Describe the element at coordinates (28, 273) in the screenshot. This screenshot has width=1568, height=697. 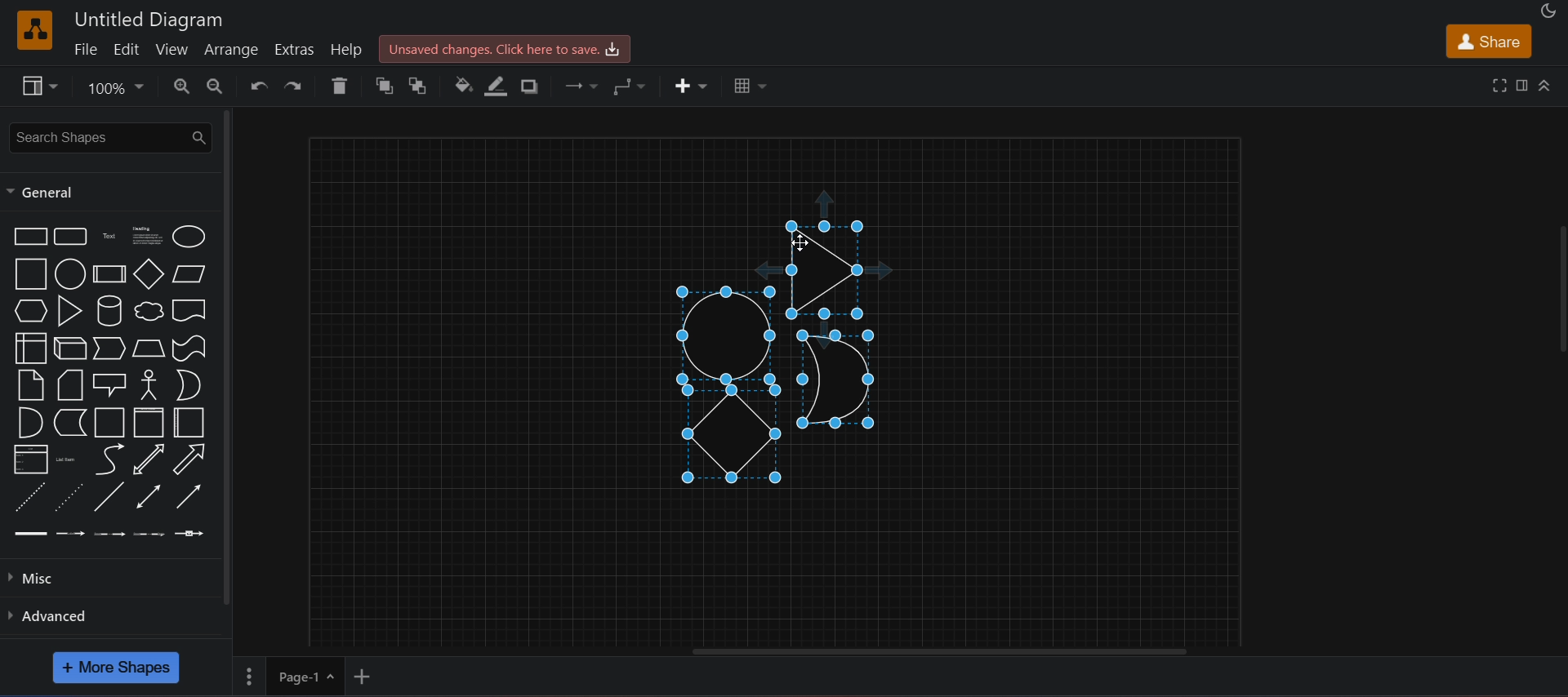
I see `square` at that location.